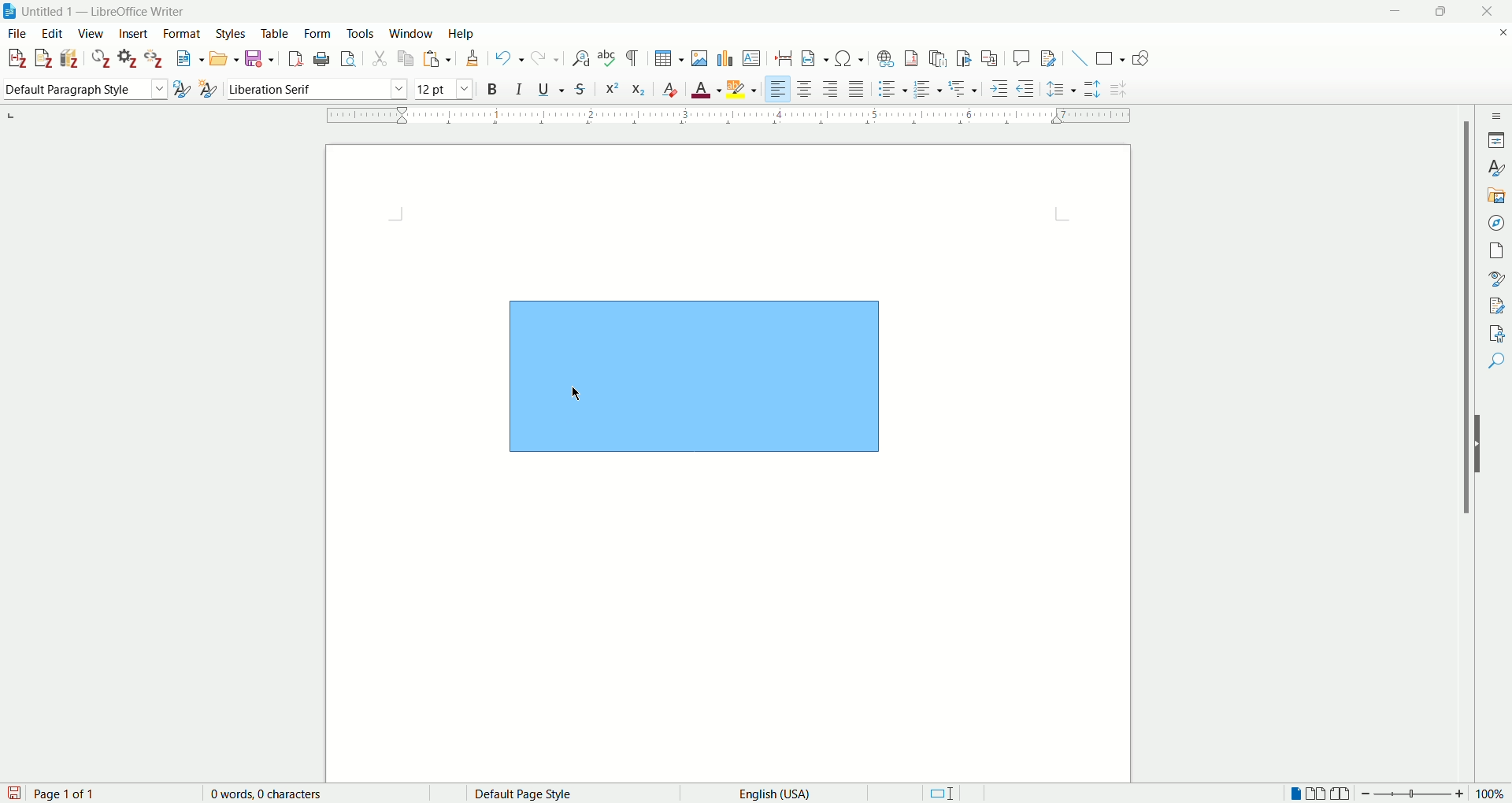 The height and width of the screenshot is (803, 1512). Describe the element at coordinates (71, 59) in the screenshot. I see `add bibliography` at that location.